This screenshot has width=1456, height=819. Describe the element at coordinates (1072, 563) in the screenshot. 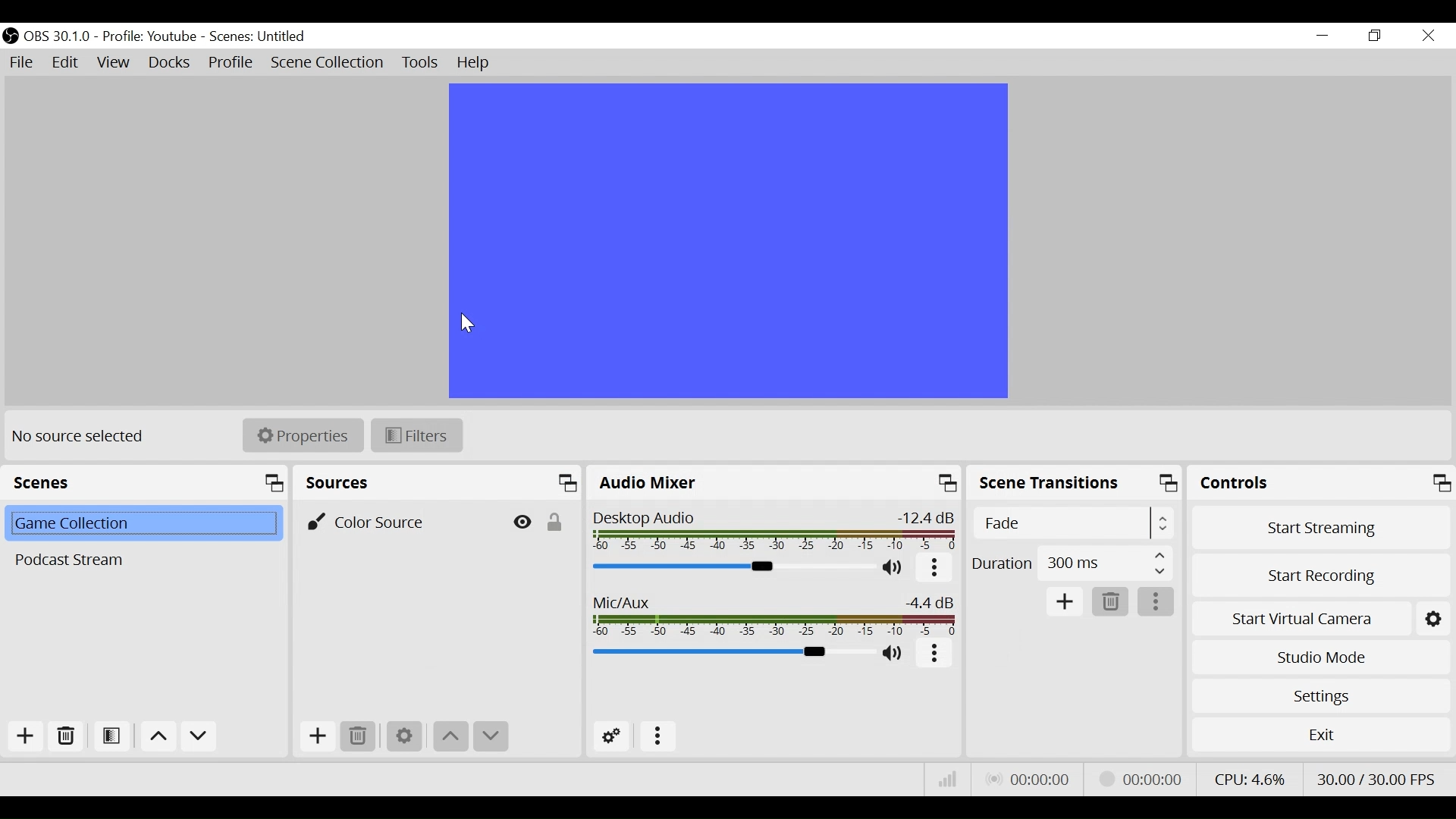

I see `Select Duration` at that location.